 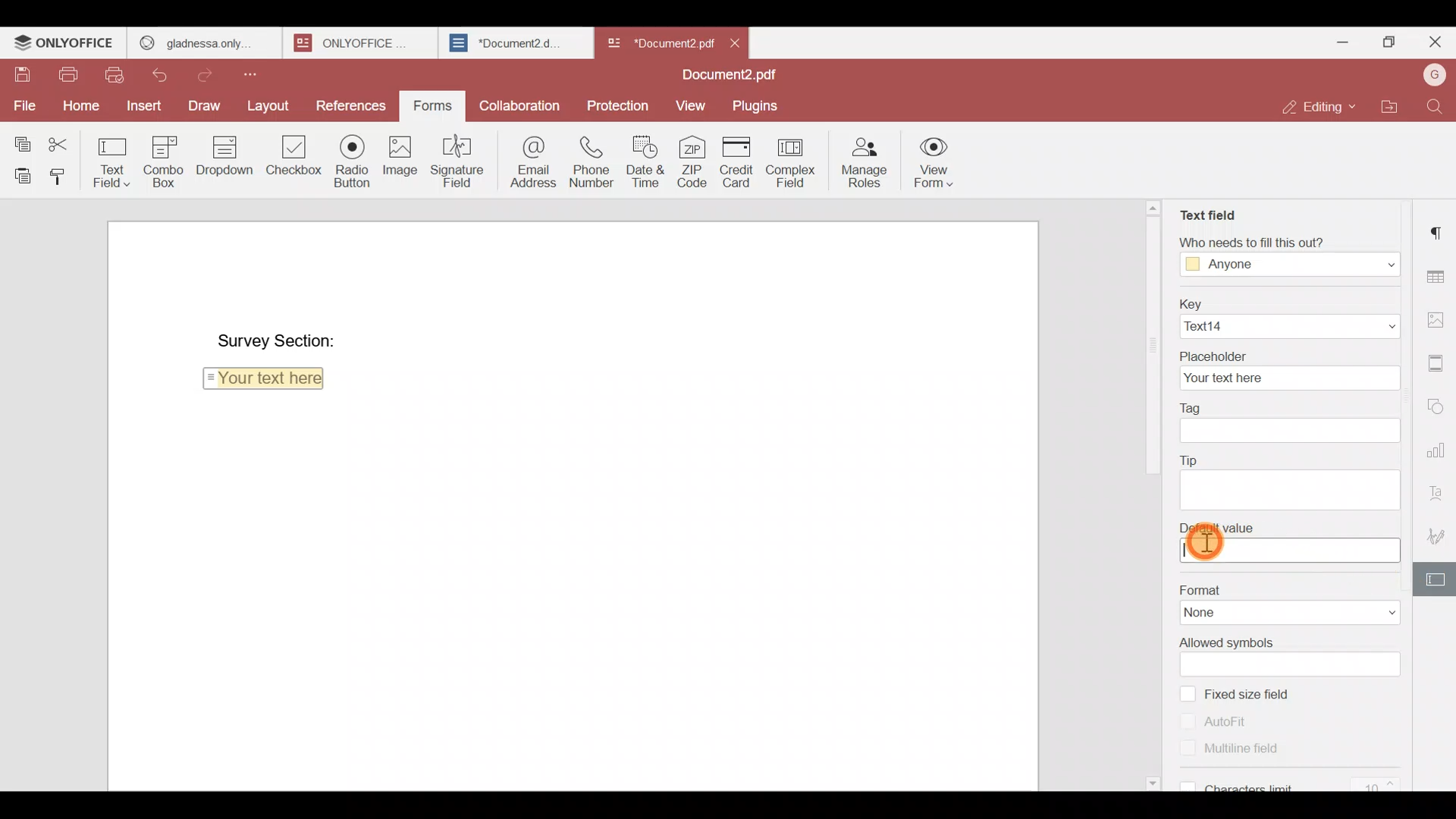 What do you see at coordinates (24, 105) in the screenshot?
I see `File` at bounding box center [24, 105].